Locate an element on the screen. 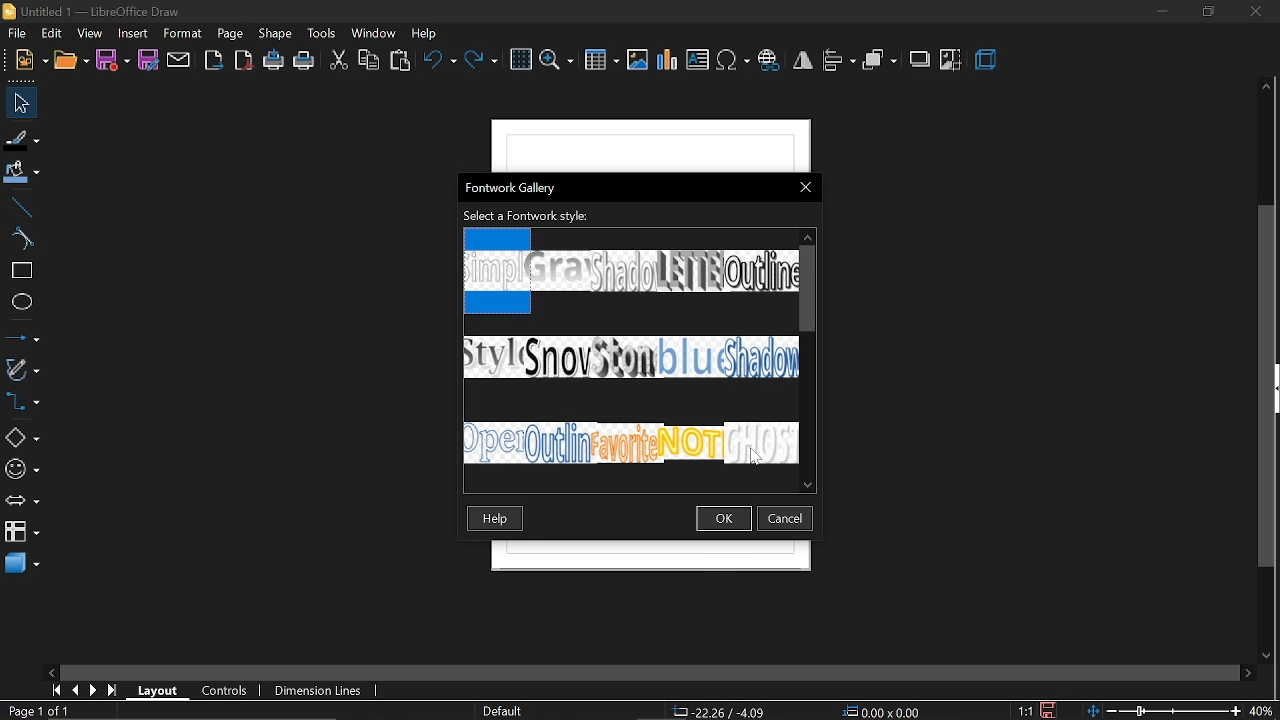 This screenshot has height=720, width=1280. -22.26/-4.09 is located at coordinates (722, 712).